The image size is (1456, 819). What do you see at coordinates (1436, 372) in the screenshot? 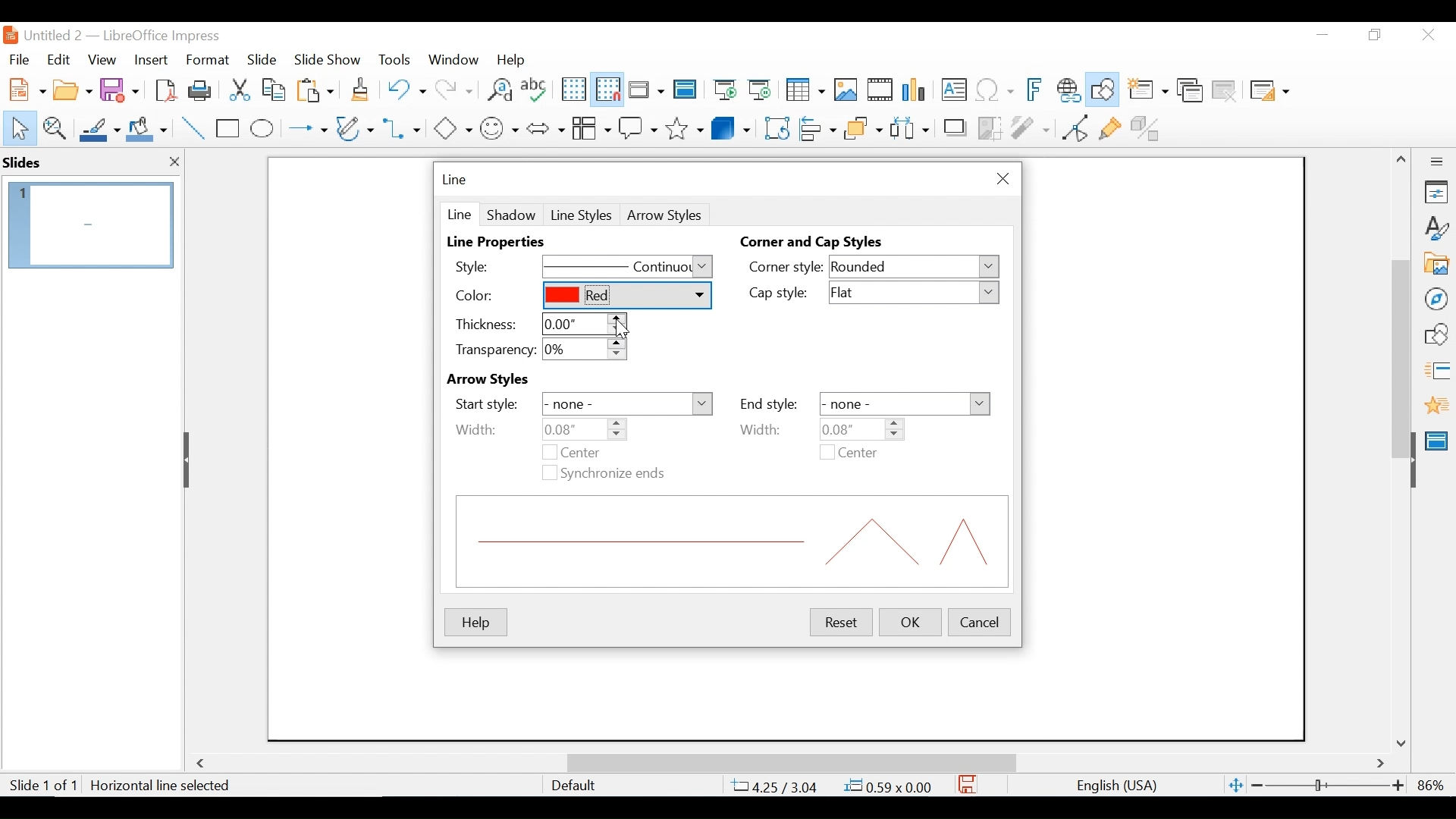
I see `Slide Transition` at bounding box center [1436, 372].